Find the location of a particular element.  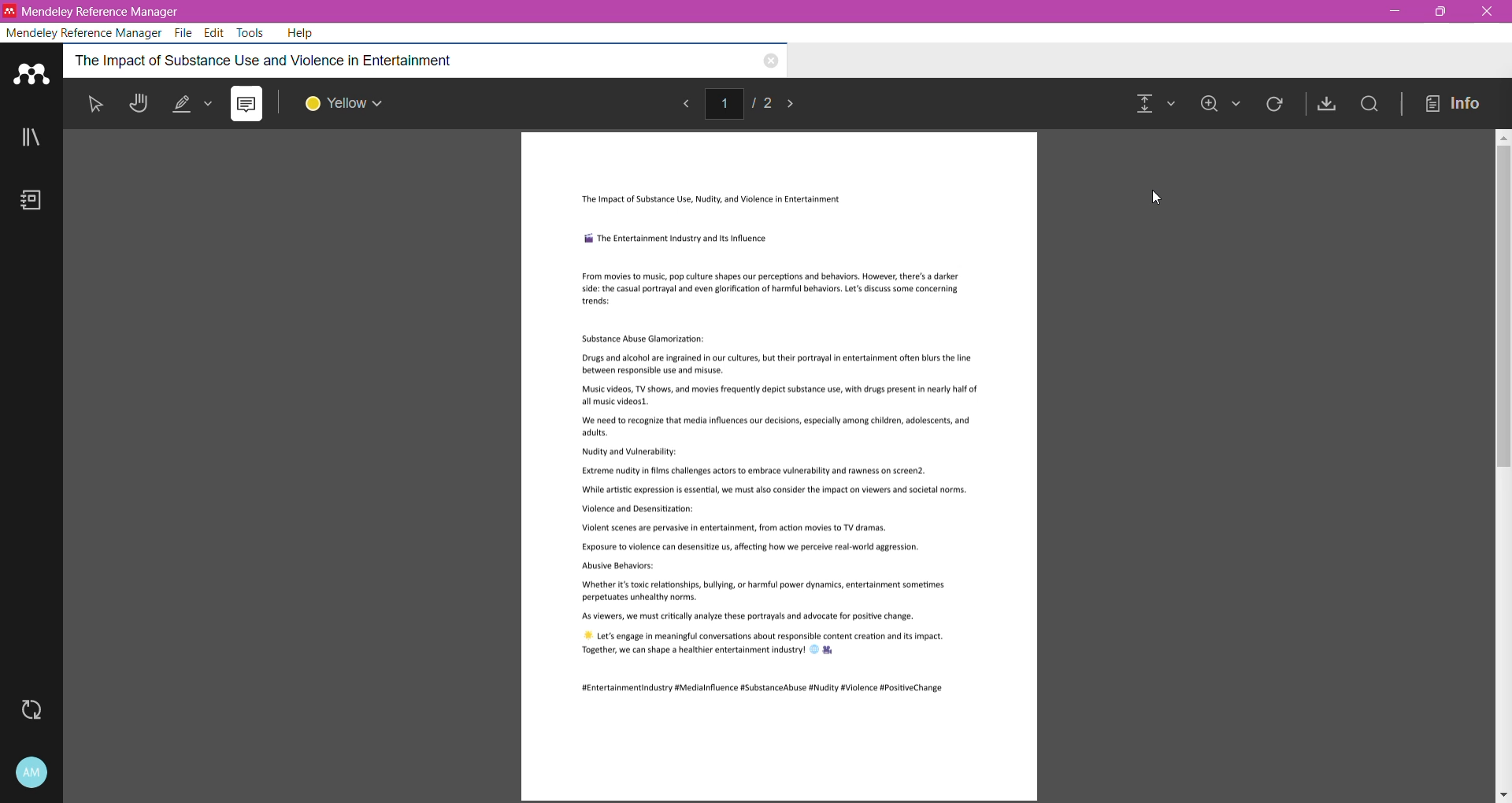

Add Comment is located at coordinates (246, 104).